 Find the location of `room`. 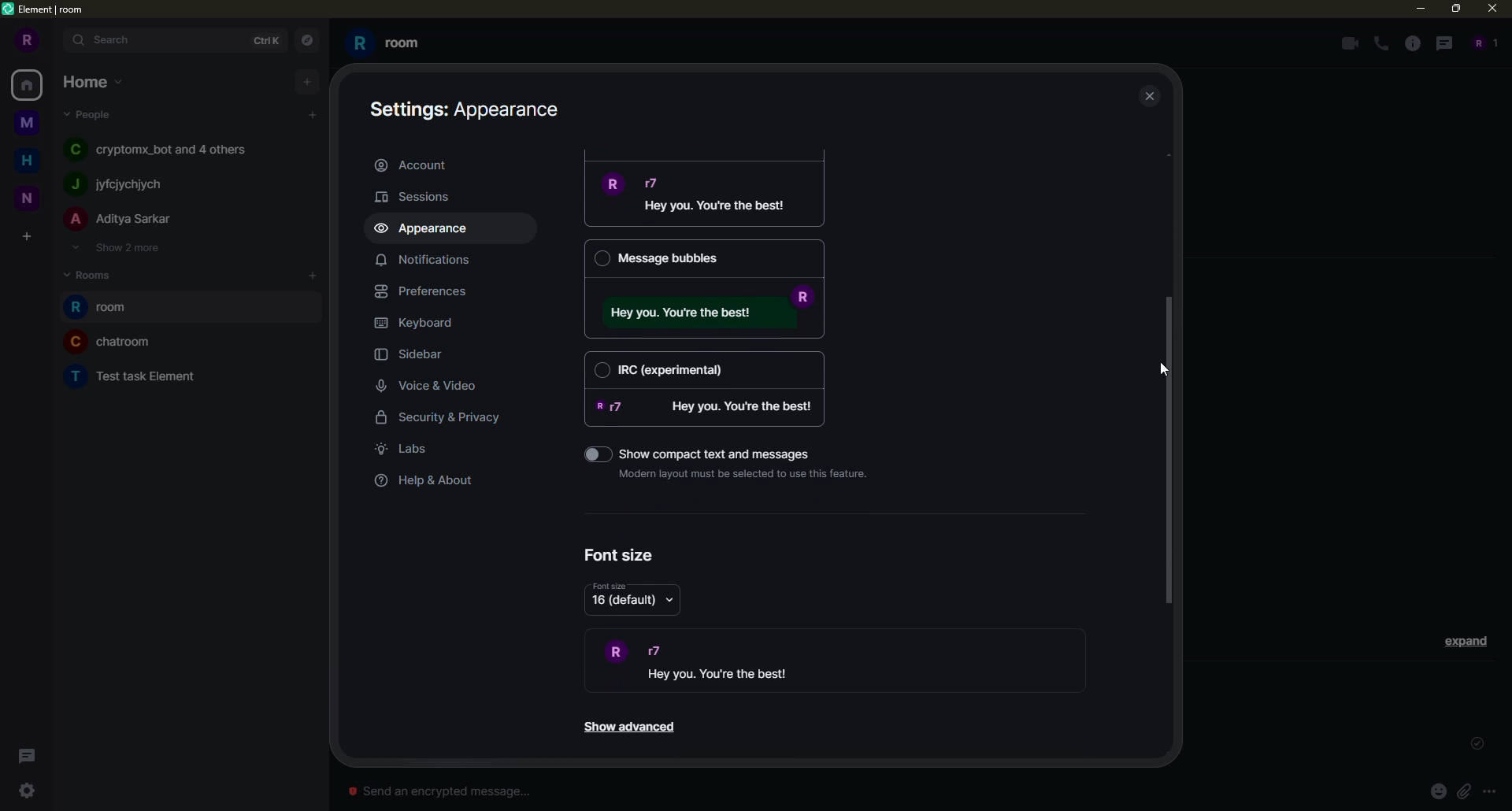

room is located at coordinates (138, 374).